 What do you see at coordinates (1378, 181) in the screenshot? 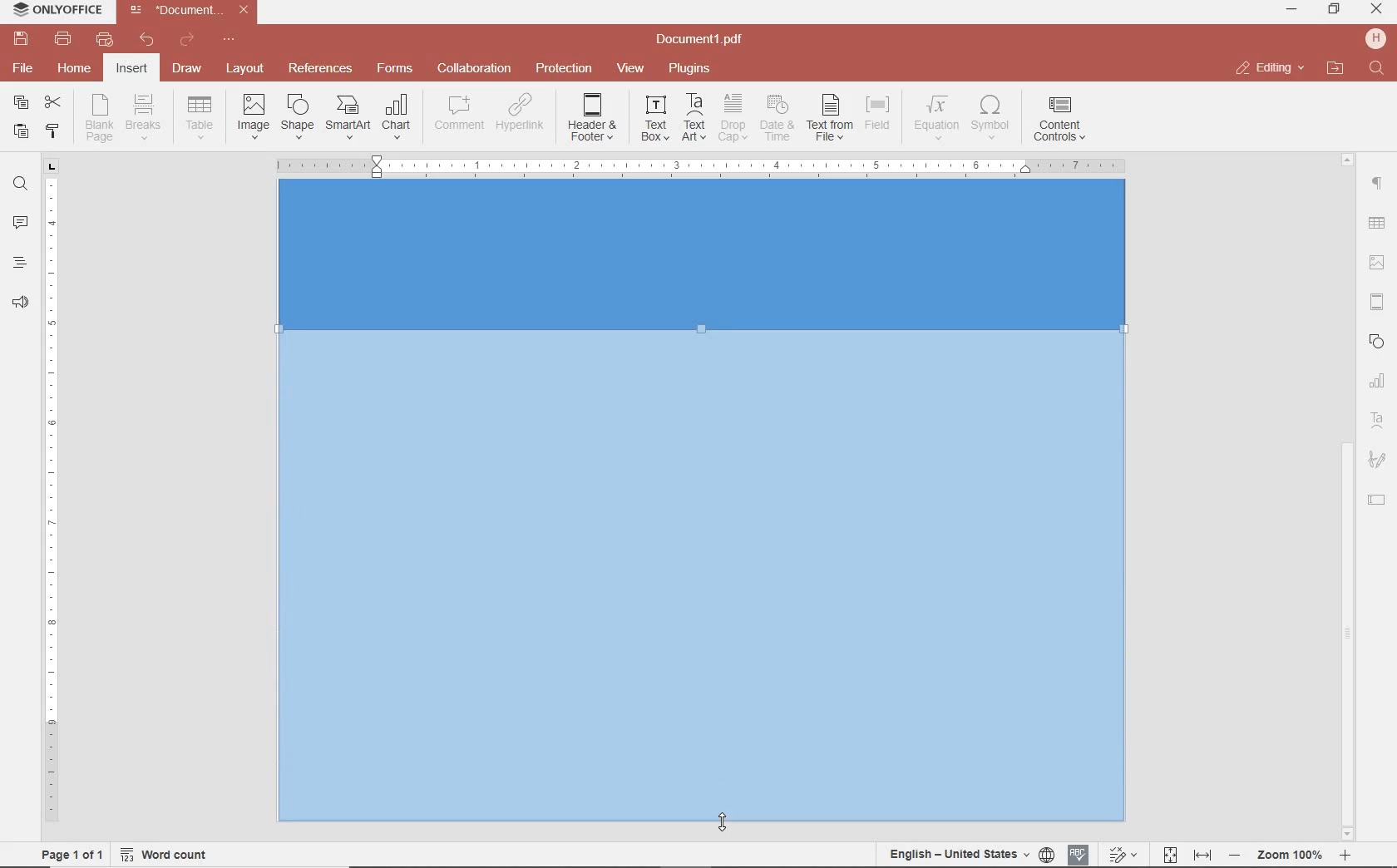
I see `paragraph setting` at bounding box center [1378, 181].